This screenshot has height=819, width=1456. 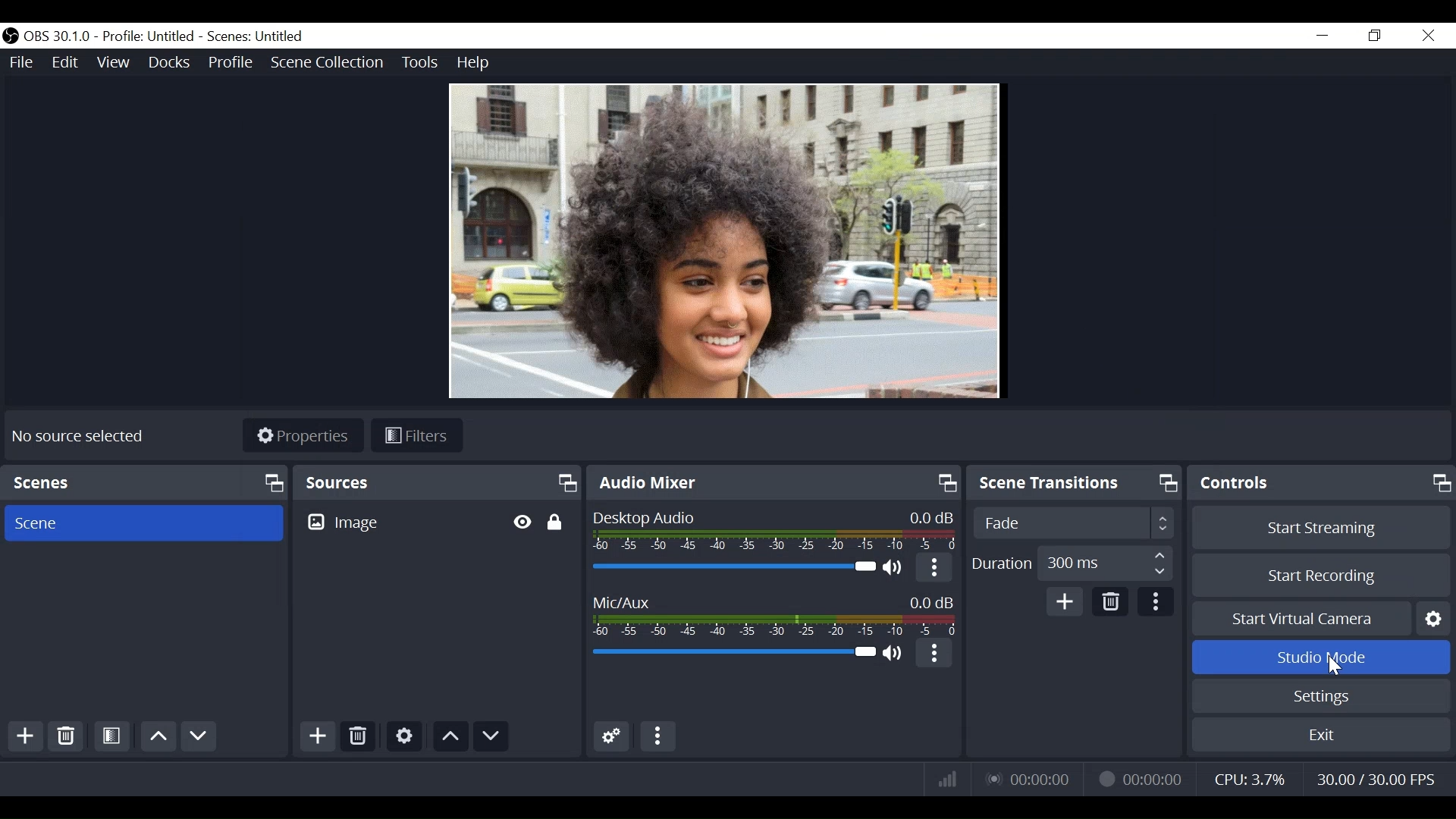 What do you see at coordinates (316, 736) in the screenshot?
I see `Add` at bounding box center [316, 736].